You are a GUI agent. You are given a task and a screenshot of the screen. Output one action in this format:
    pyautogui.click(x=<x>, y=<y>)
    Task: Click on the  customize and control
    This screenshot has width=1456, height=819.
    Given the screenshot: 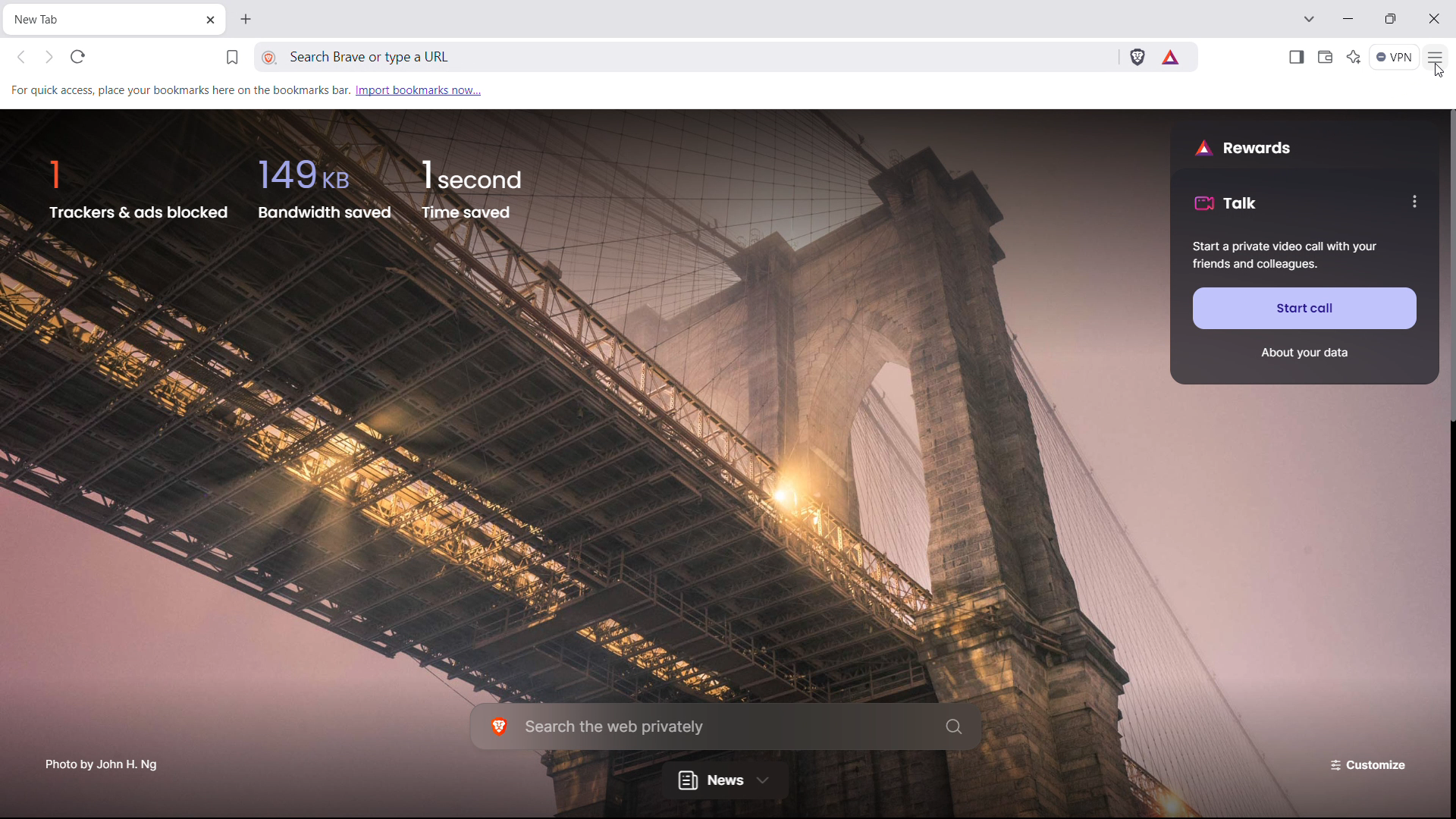 What is the action you would take?
    pyautogui.click(x=1437, y=56)
    